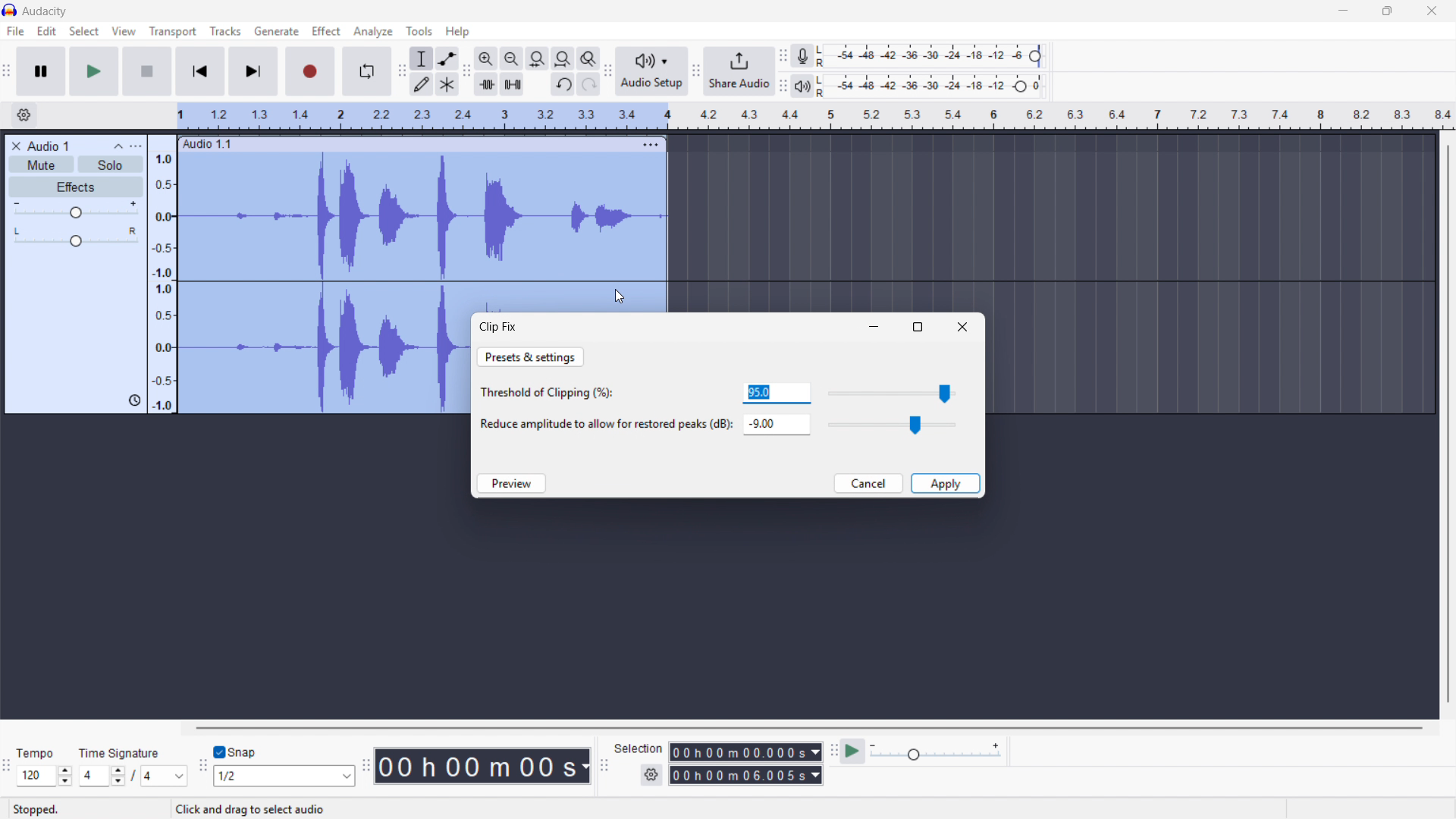 This screenshot has width=1456, height=819. Describe the element at coordinates (162, 275) in the screenshot. I see `Amplitude` at that location.